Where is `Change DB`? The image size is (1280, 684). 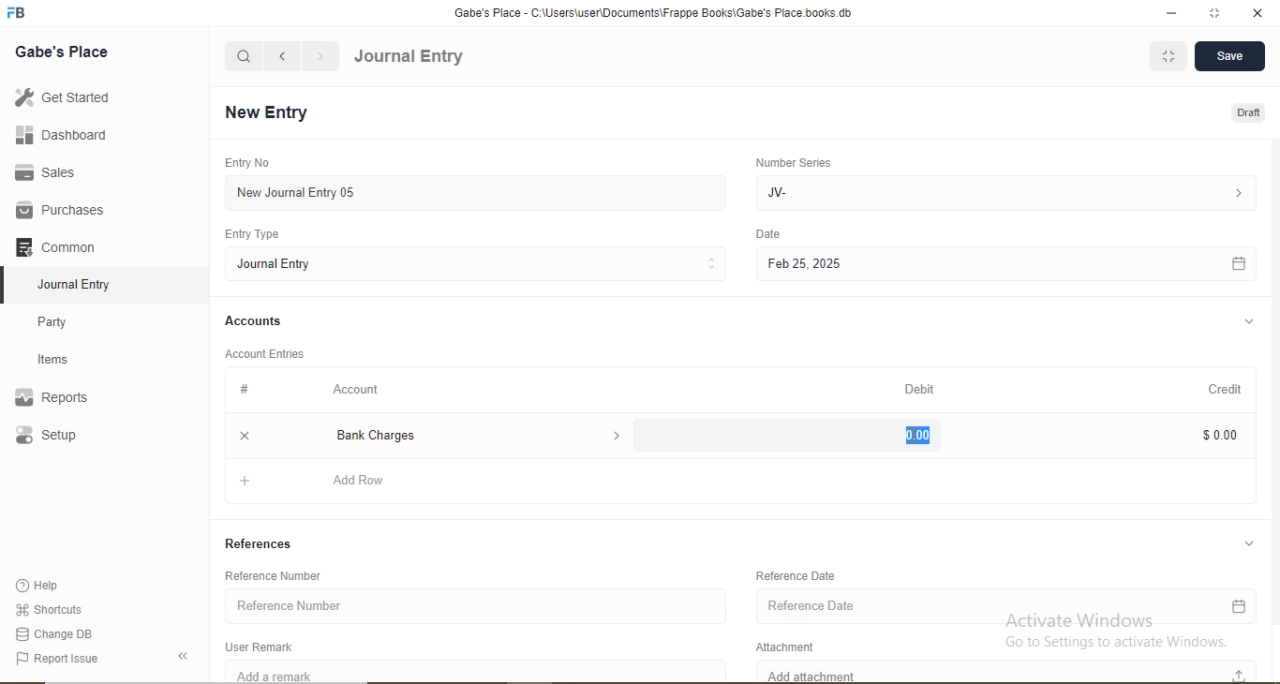
Change DB is located at coordinates (55, 633).